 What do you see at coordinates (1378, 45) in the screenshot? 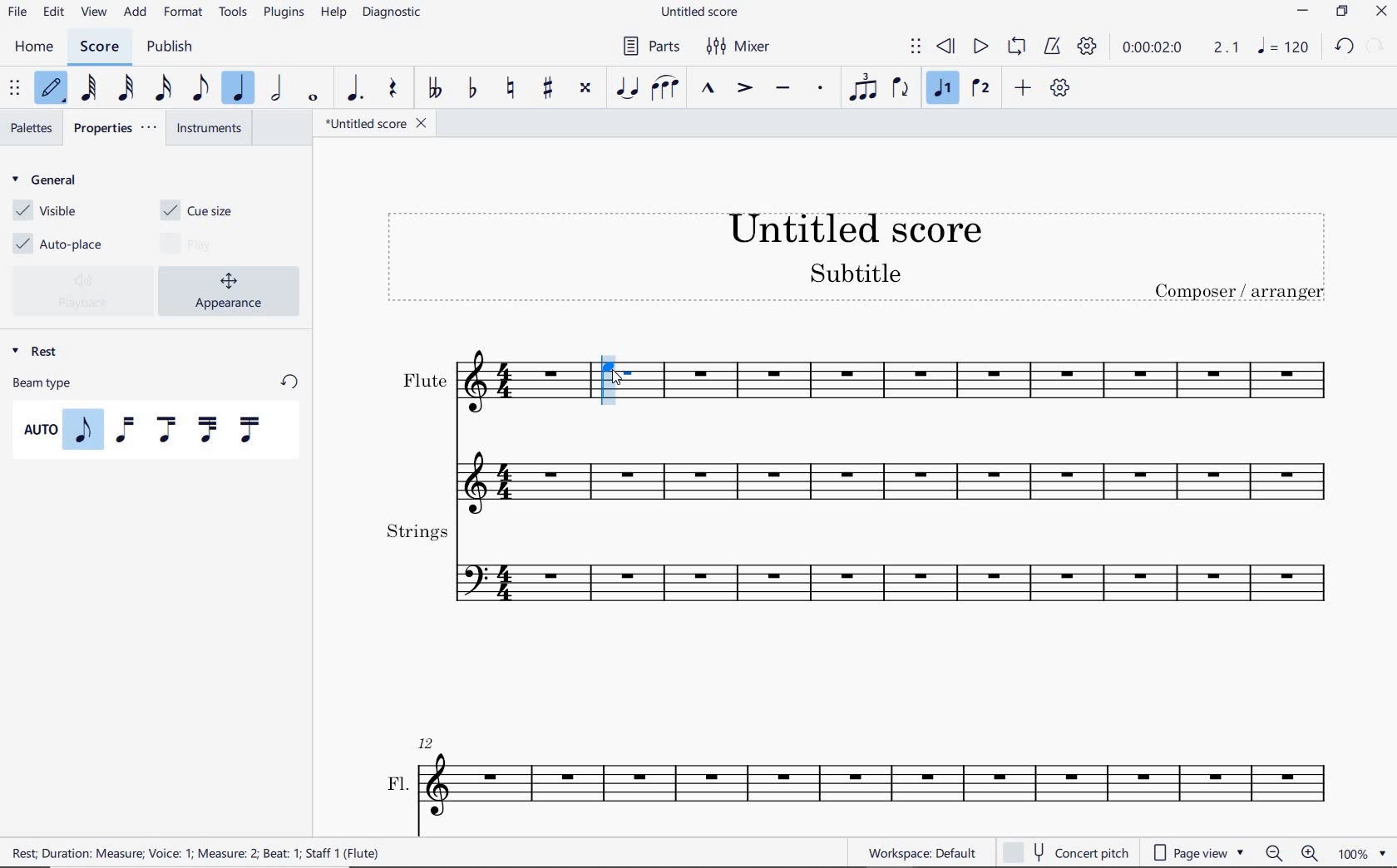
I see `redo` at bounding box center [1378, 45].